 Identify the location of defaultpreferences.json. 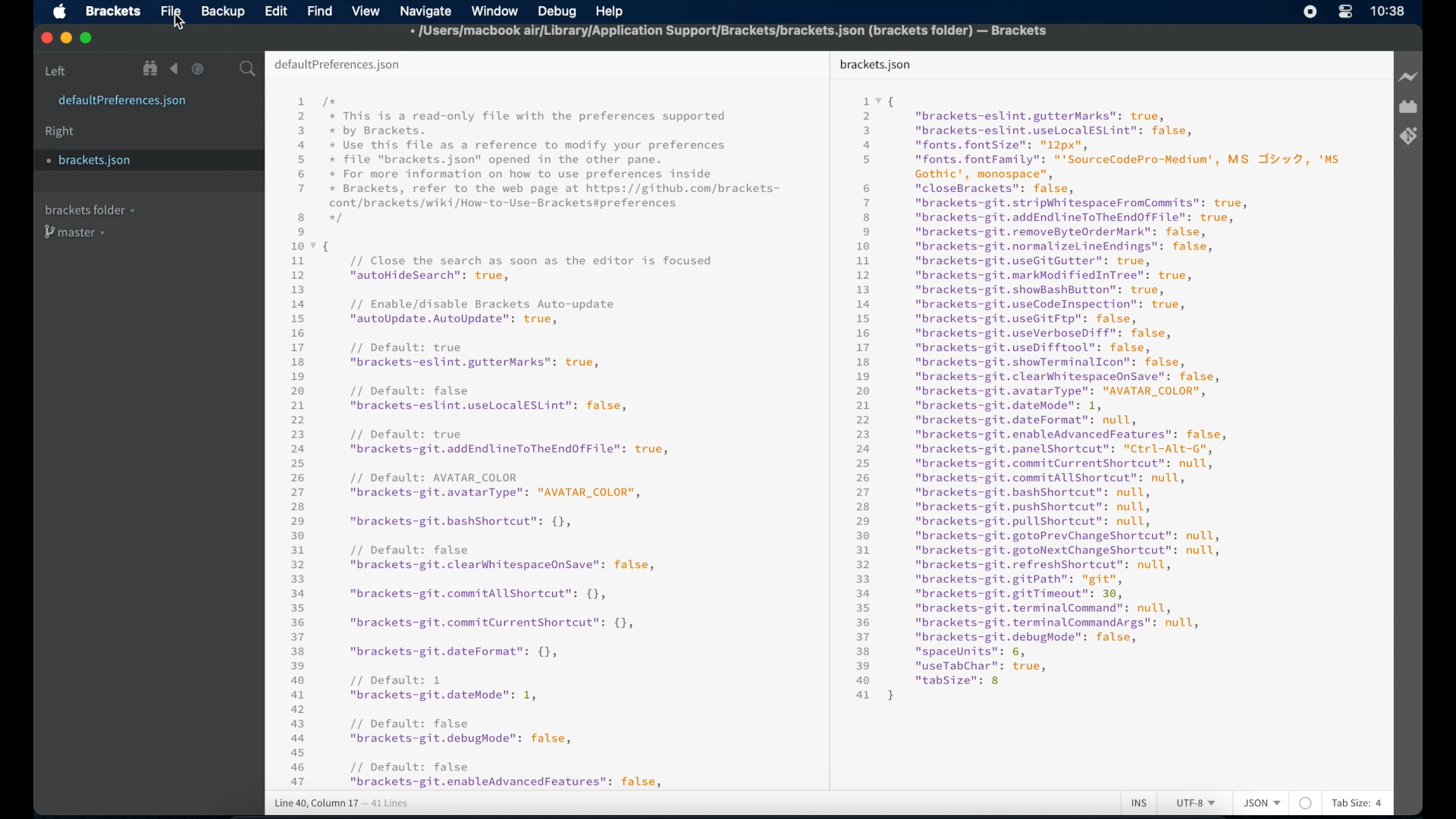
(122, 101).